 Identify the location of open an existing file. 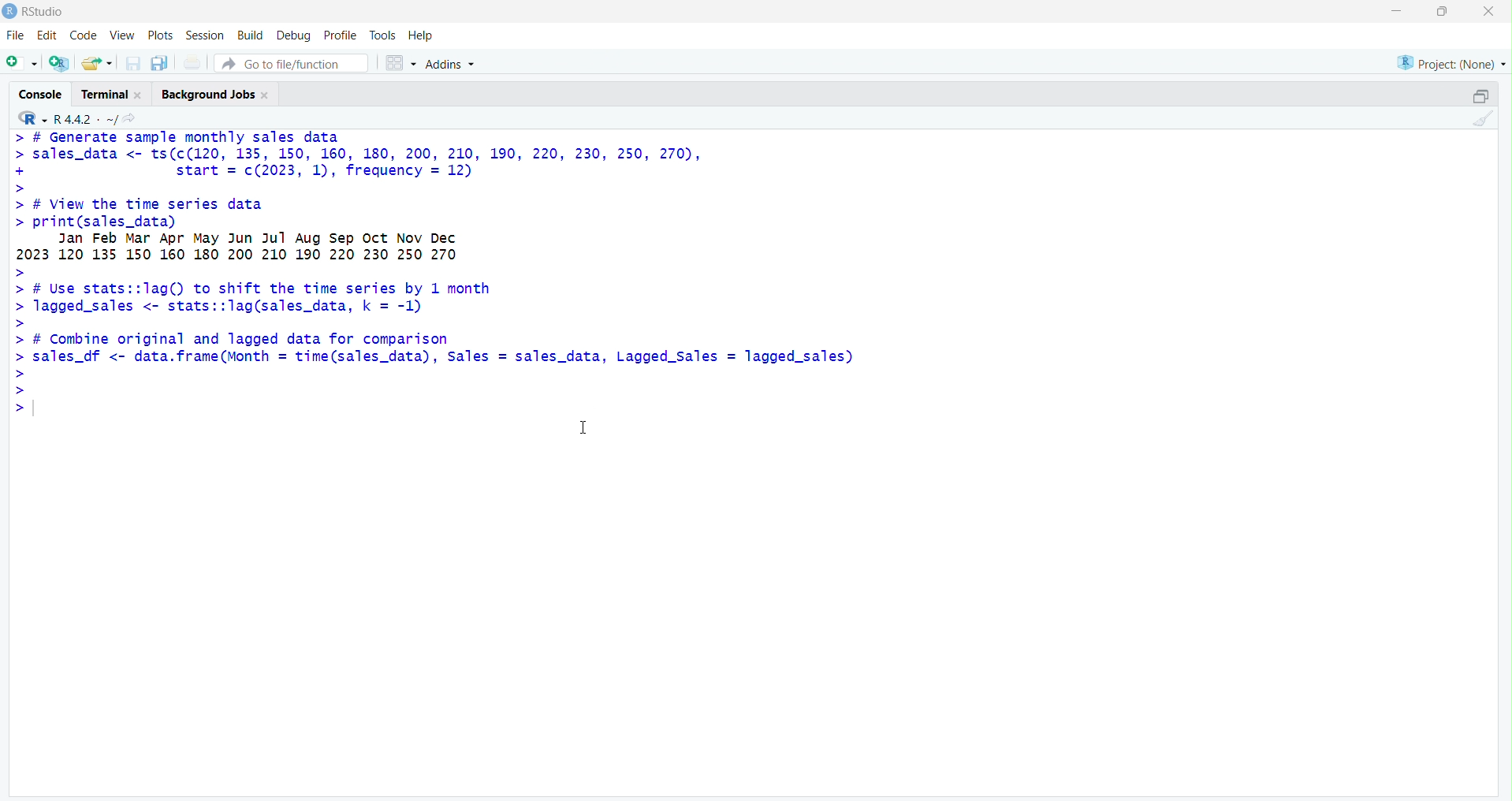
(97, 63).